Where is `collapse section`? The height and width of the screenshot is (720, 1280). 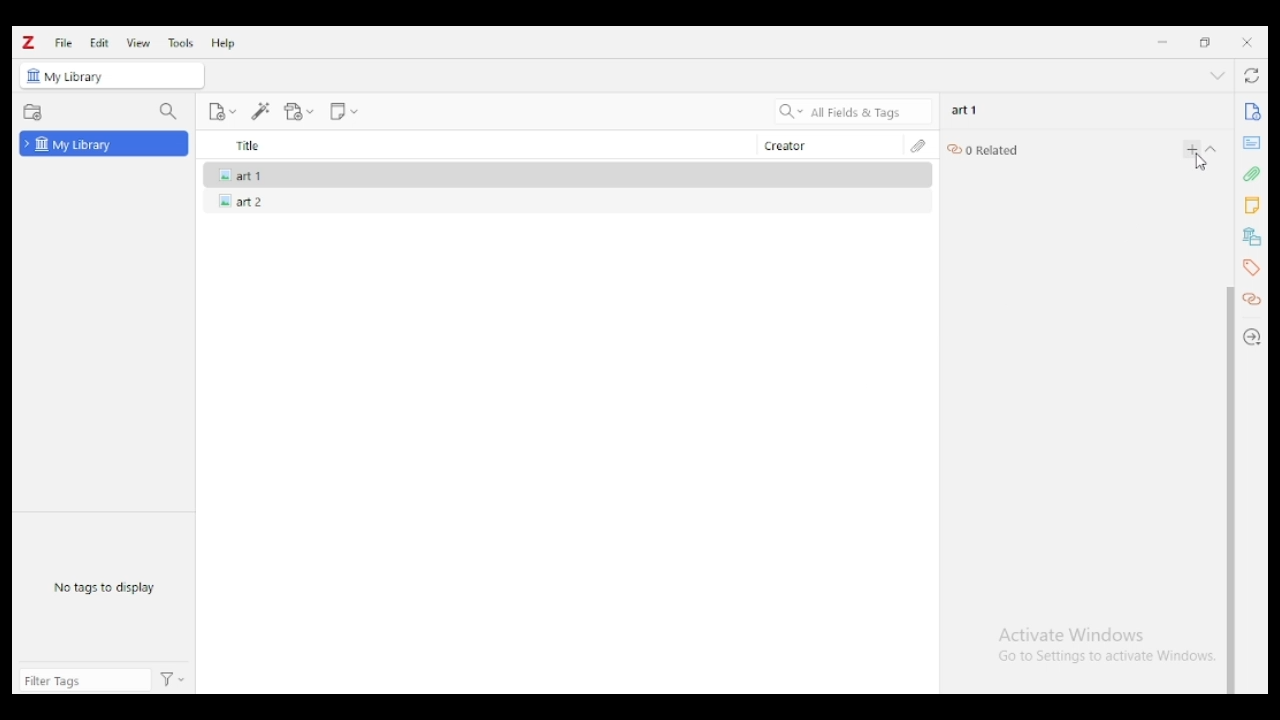
collapse section is located at coordinates (1212, 149).